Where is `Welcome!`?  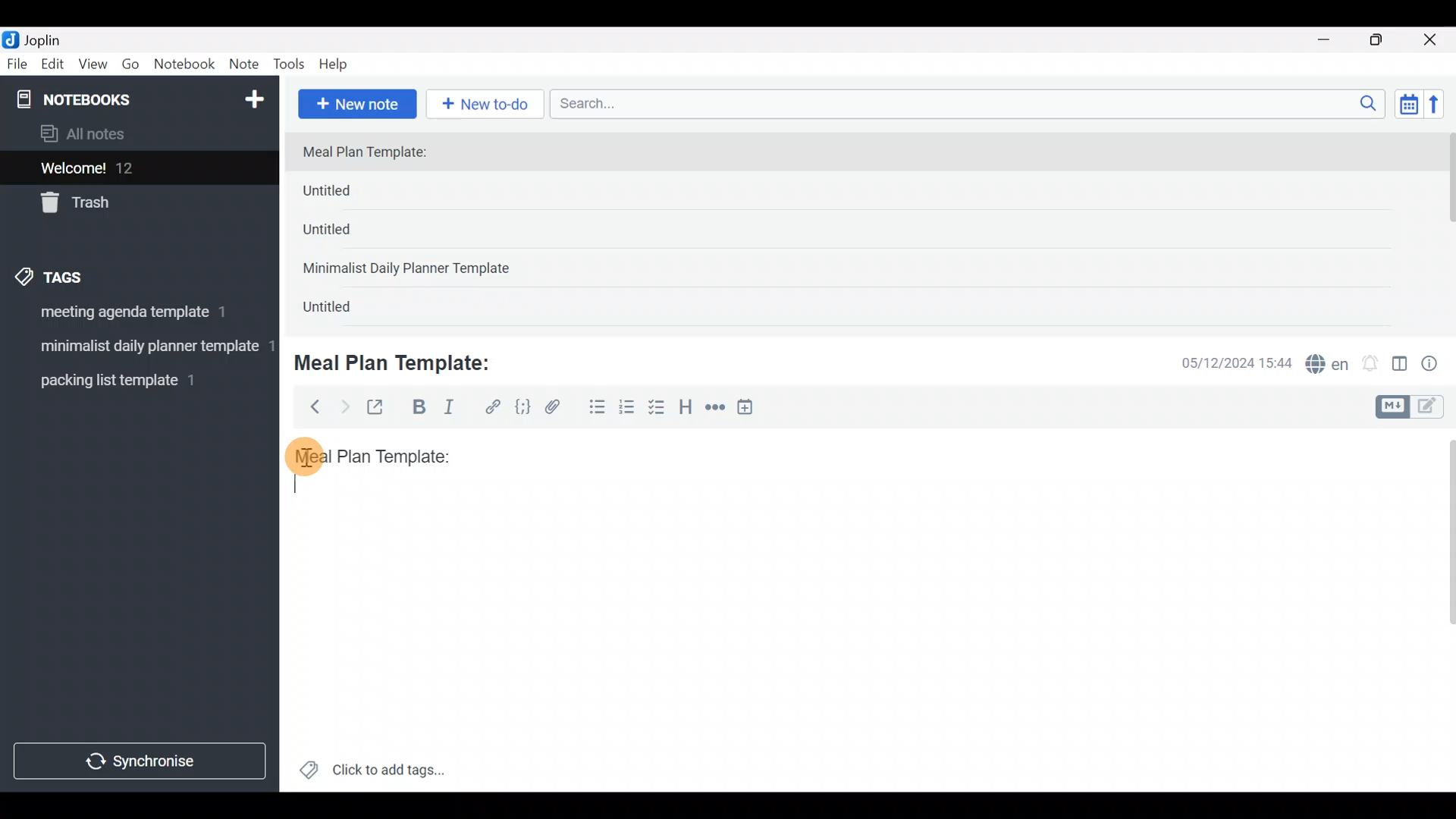 Welcome! is located at coordinates (137, 169).